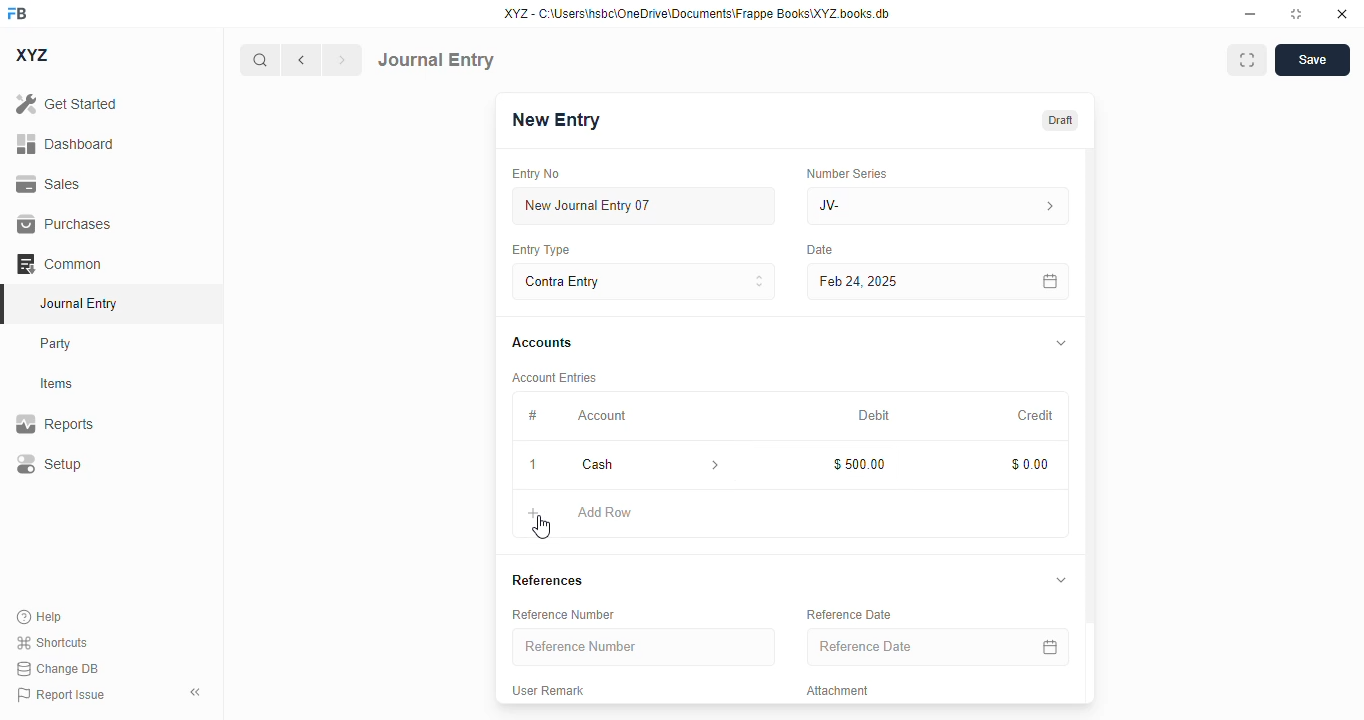  What do you see at coordinates (602, 416) in the screenshot?
I see `account` at bounding box center [602, 416].